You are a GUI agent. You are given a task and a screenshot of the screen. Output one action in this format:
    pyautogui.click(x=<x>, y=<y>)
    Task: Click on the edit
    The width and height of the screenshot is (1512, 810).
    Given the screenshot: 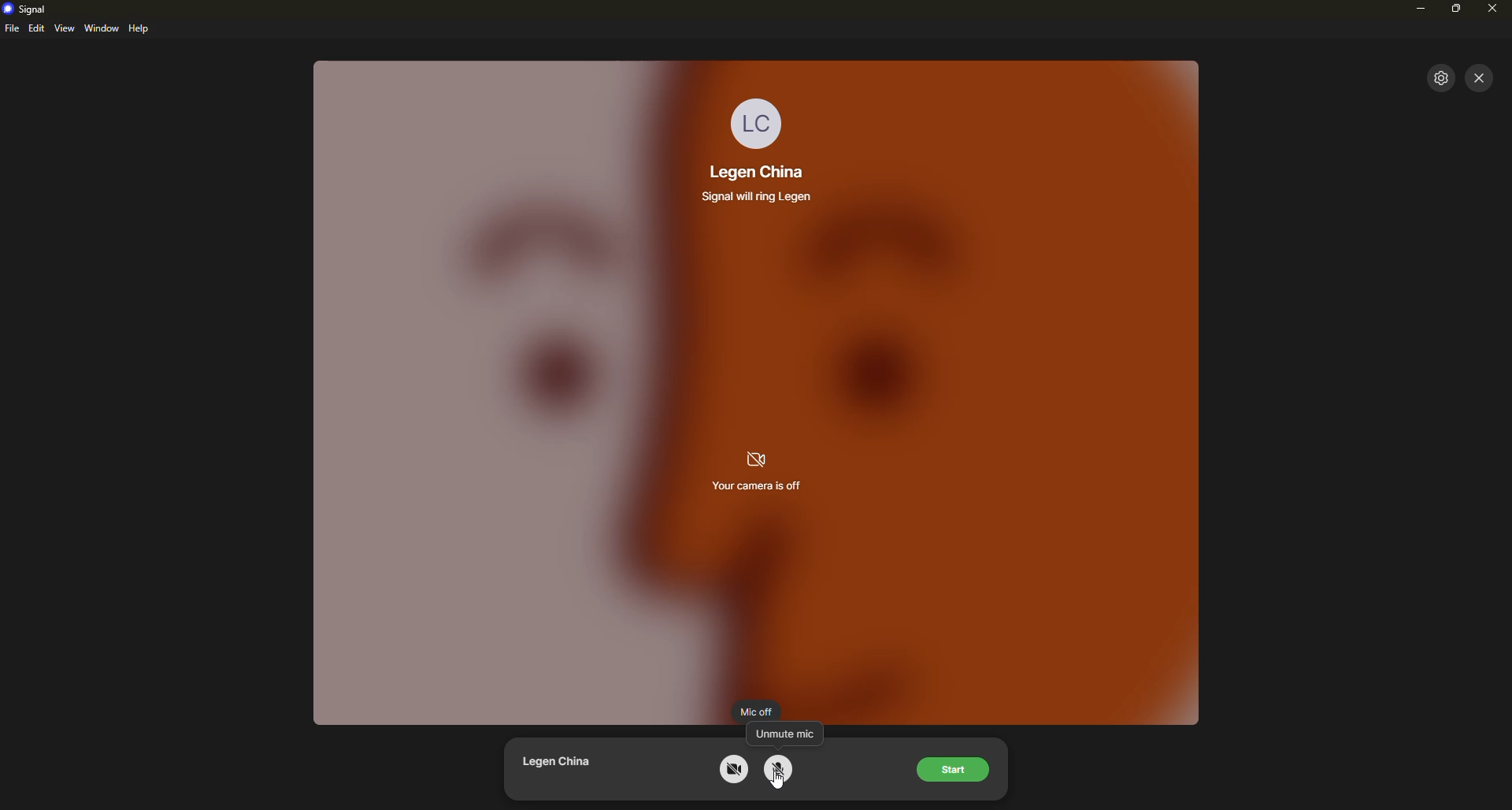 What is the action you would take?
    pyautogui.click(x=37, y=28)
    